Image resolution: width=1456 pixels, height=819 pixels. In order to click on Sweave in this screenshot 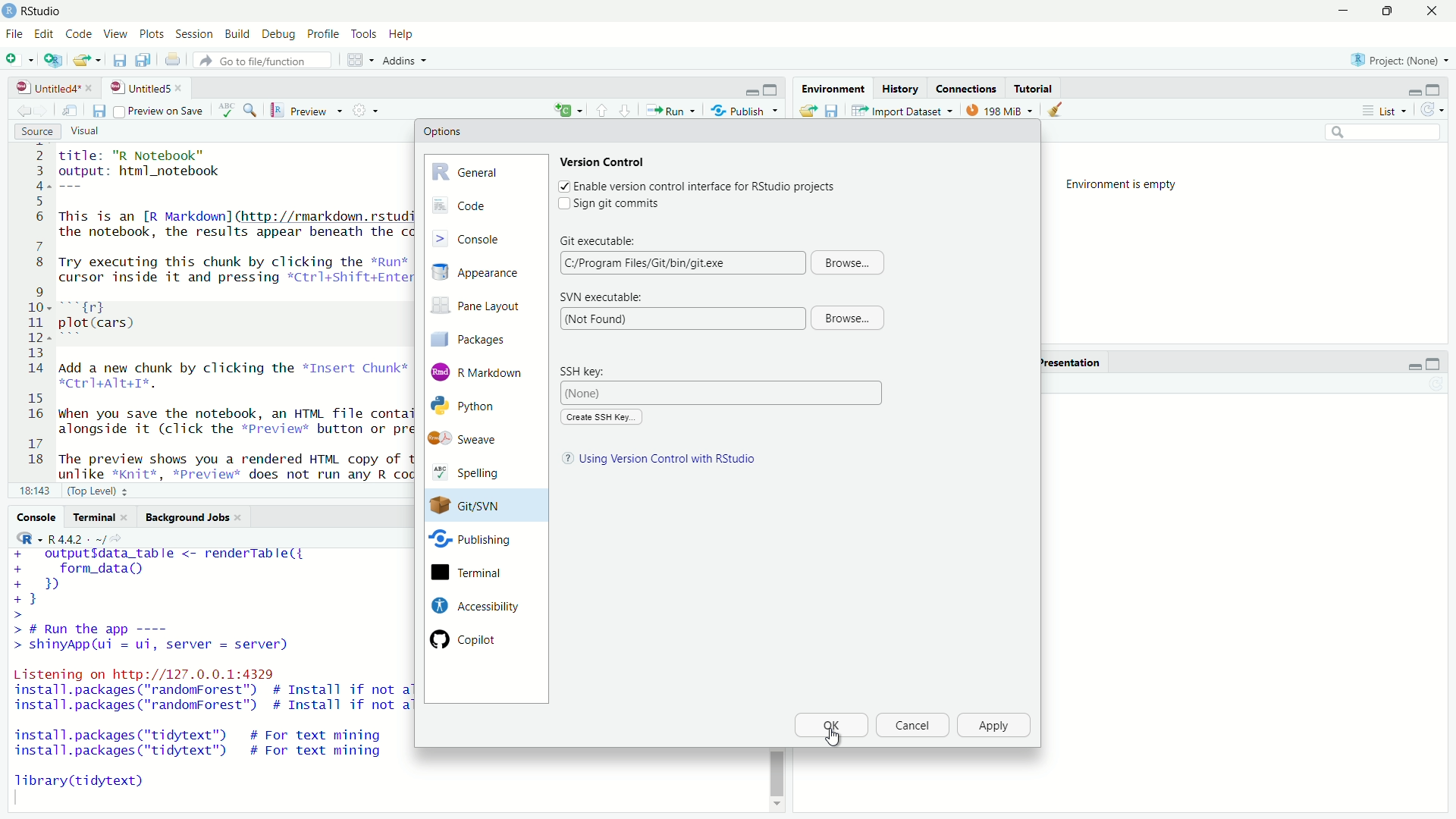, I will do `click(472, 439)`.